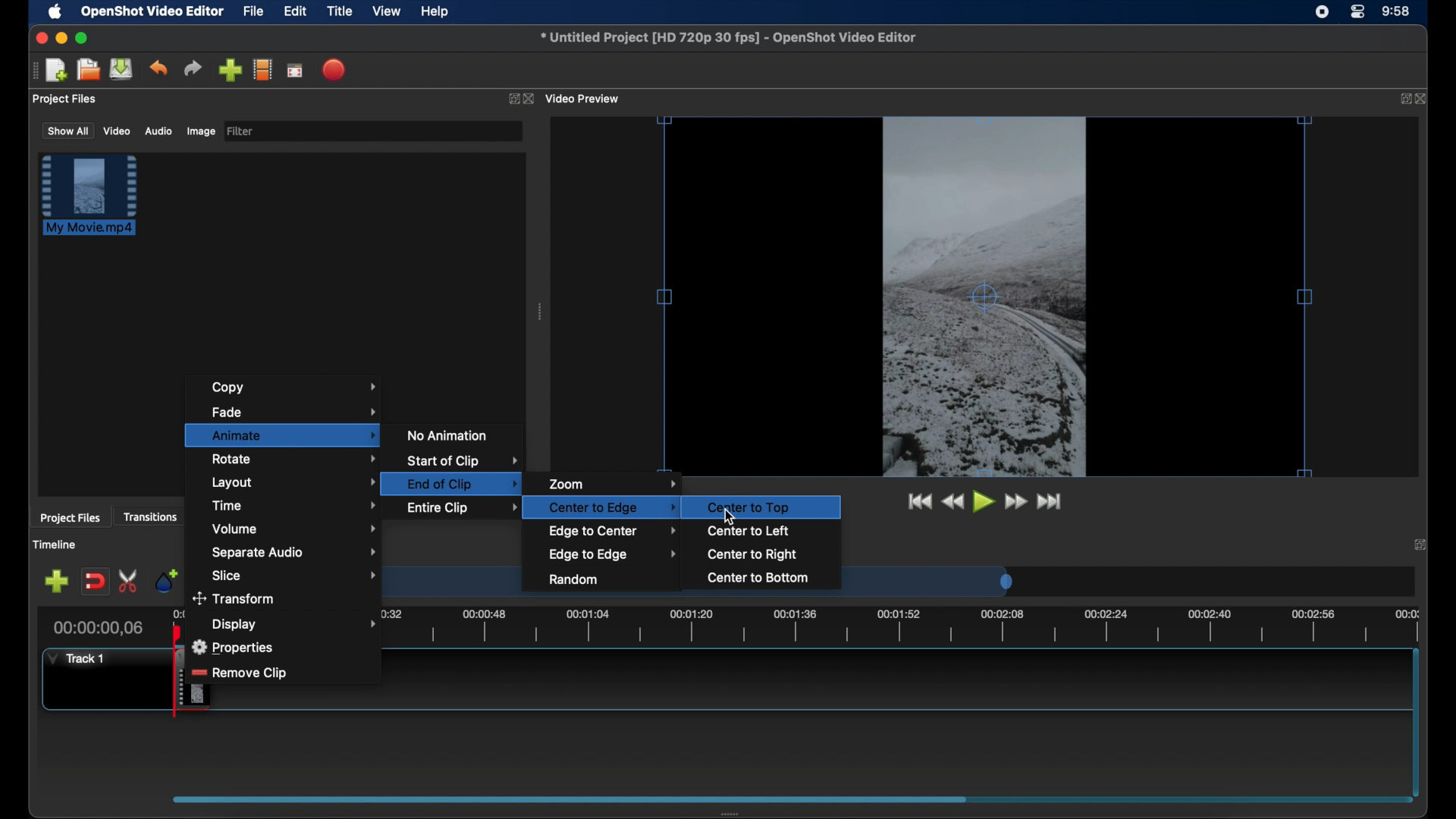 The height and width of the screenshot is (819, 1456). Describe the element at coordinates (294, 387) in the screenshot. I see `copy menu` at that location.